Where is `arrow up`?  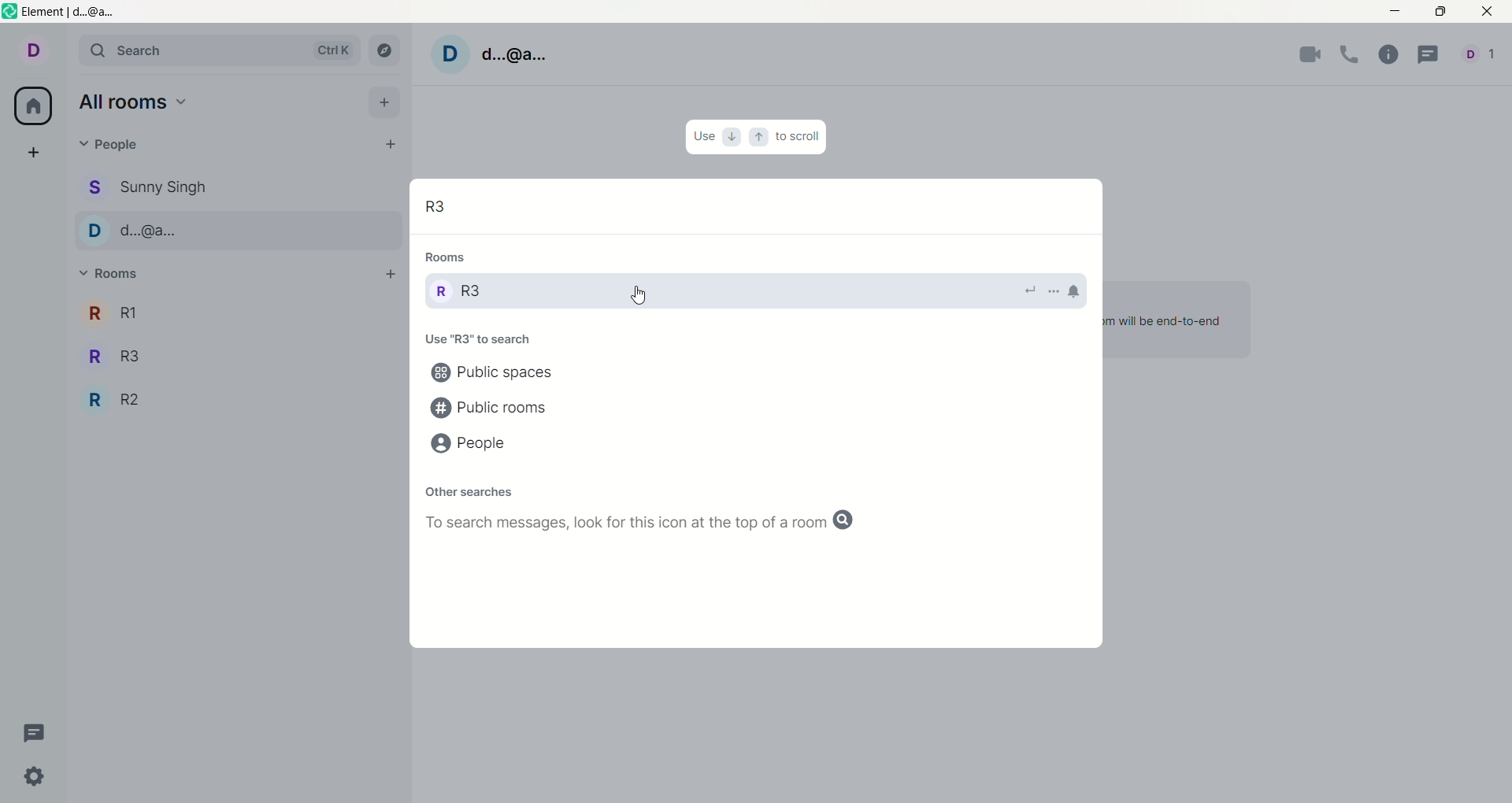 arrow up is located at coordinates (758, 136).